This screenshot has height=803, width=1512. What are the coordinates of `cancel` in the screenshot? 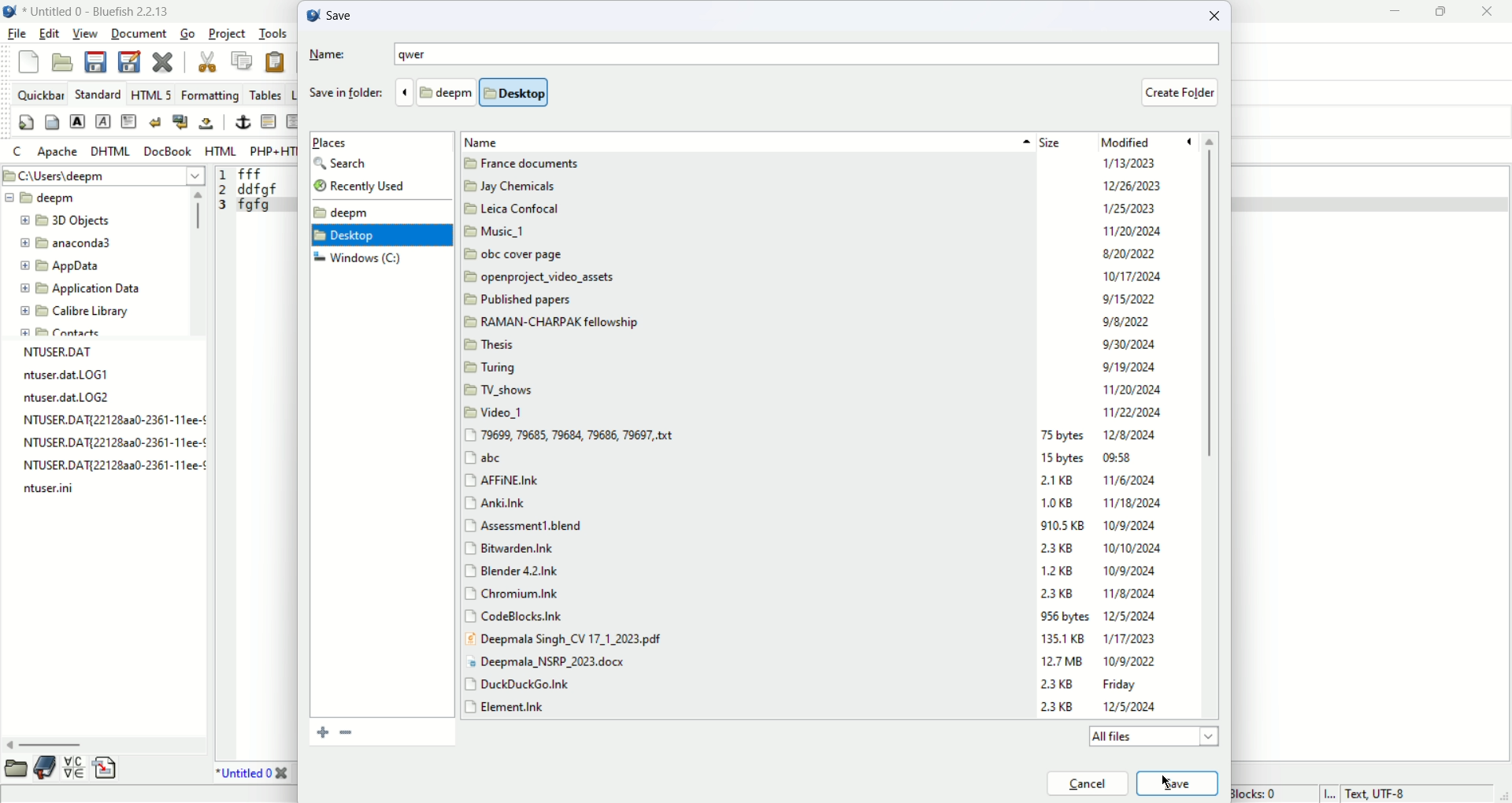 It's located at (1086, 782).